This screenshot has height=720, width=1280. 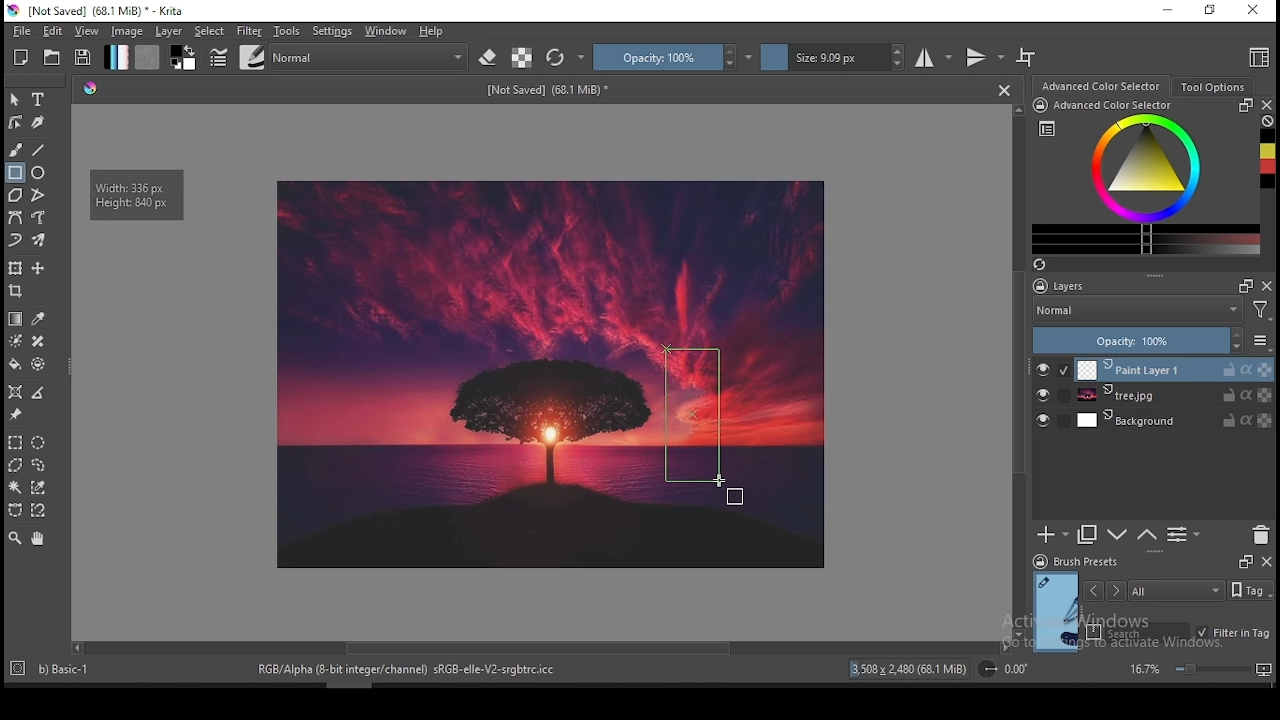 What do you see at coordinates (343, 684) in the screenshot?
I see `scroll bar` at bounding box center [343, 684].